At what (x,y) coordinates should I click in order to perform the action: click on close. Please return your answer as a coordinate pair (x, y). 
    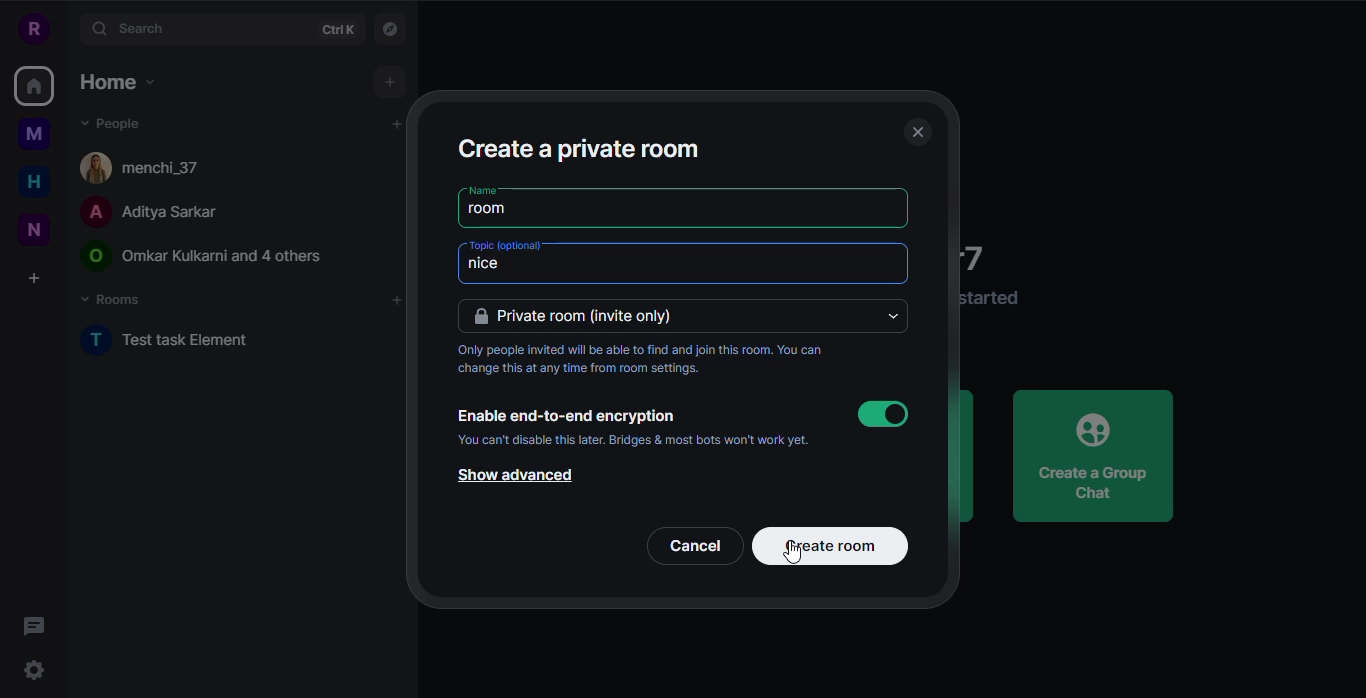
    Looking at the image, I should click on (916, 133).